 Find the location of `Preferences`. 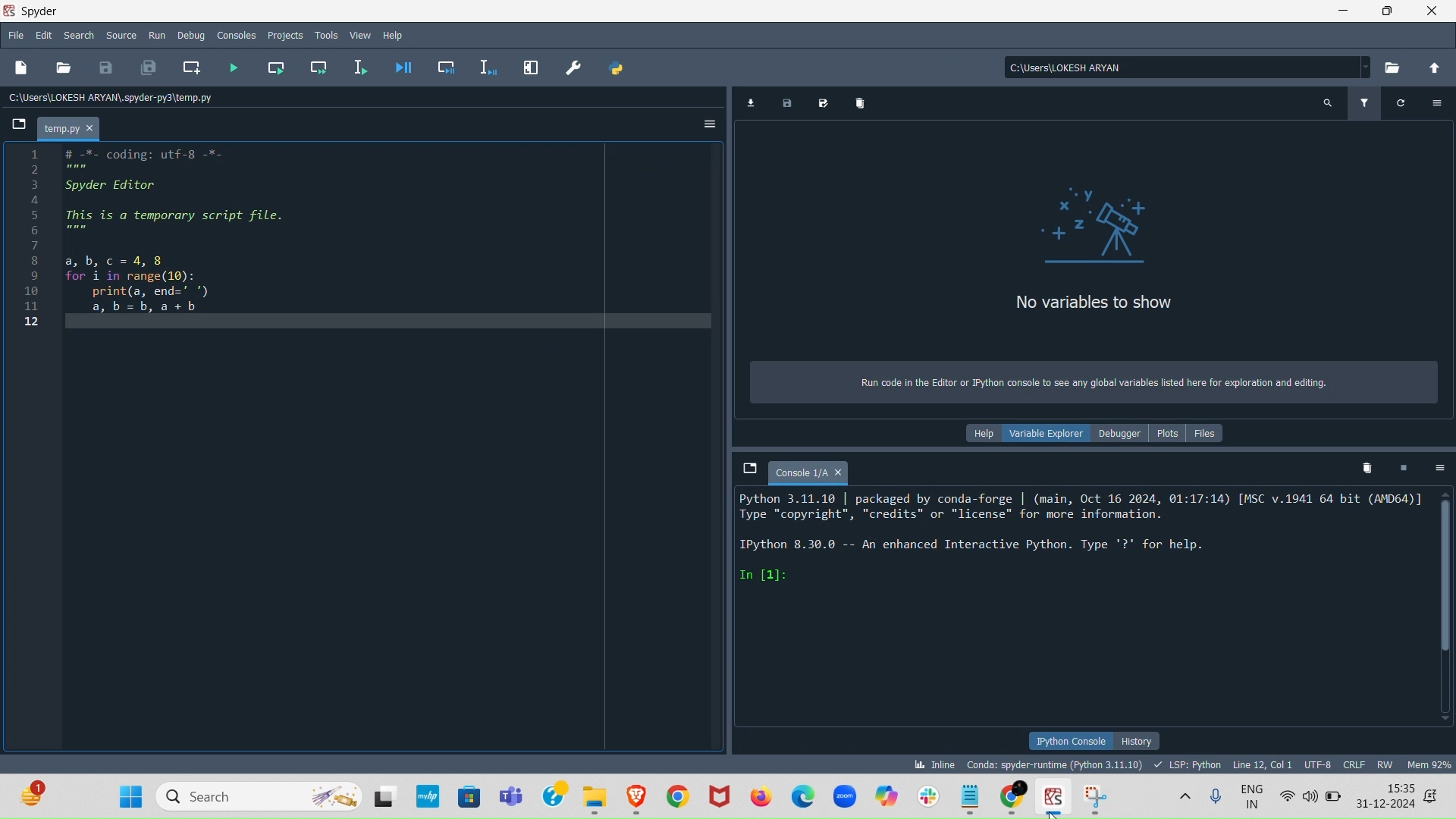

Preferences is located at coordinates (576, 64).